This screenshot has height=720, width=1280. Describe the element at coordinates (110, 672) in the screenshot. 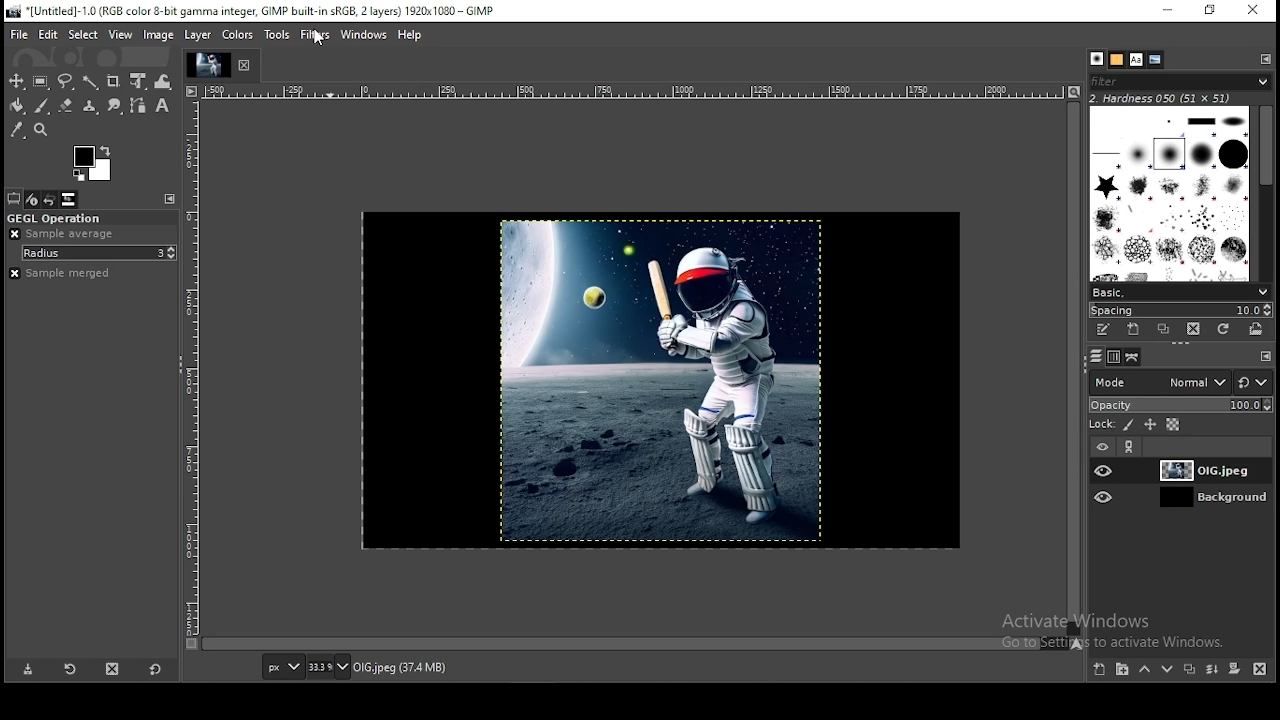

I see `delete tool preset` at that location.